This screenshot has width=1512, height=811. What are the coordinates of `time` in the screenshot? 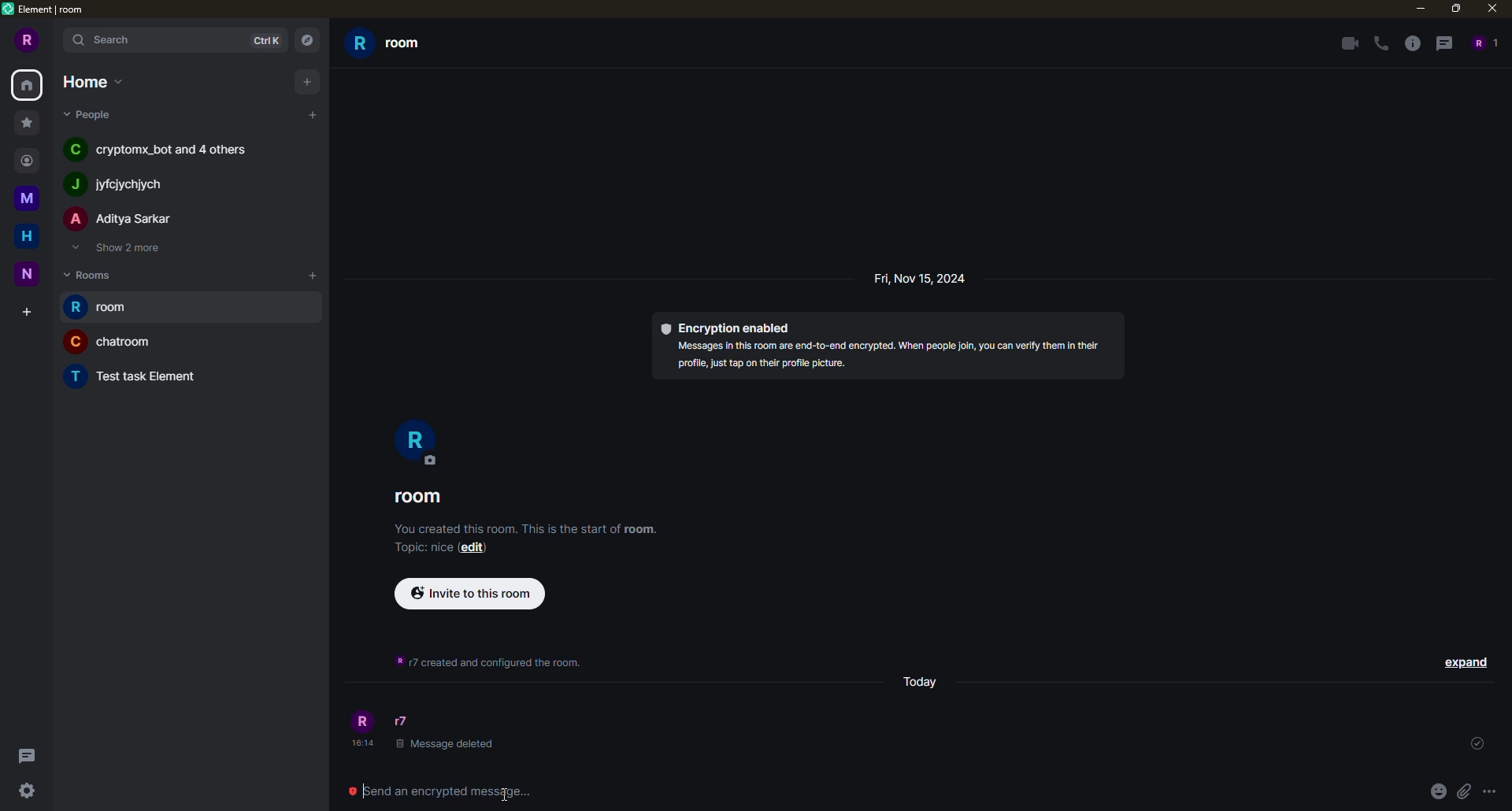 It's located at (361, 742).